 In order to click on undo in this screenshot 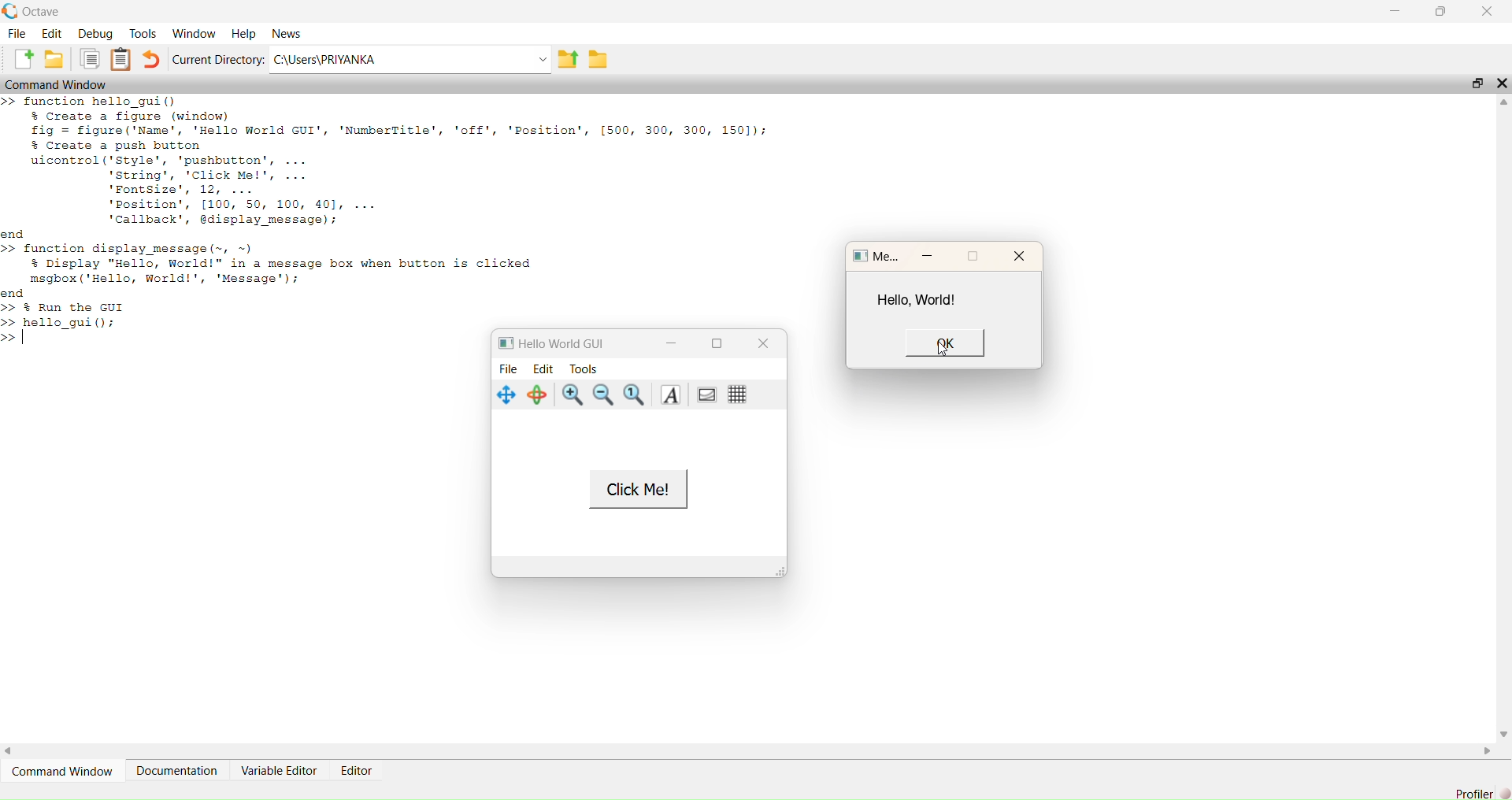, I will do `click(154, 59)`.